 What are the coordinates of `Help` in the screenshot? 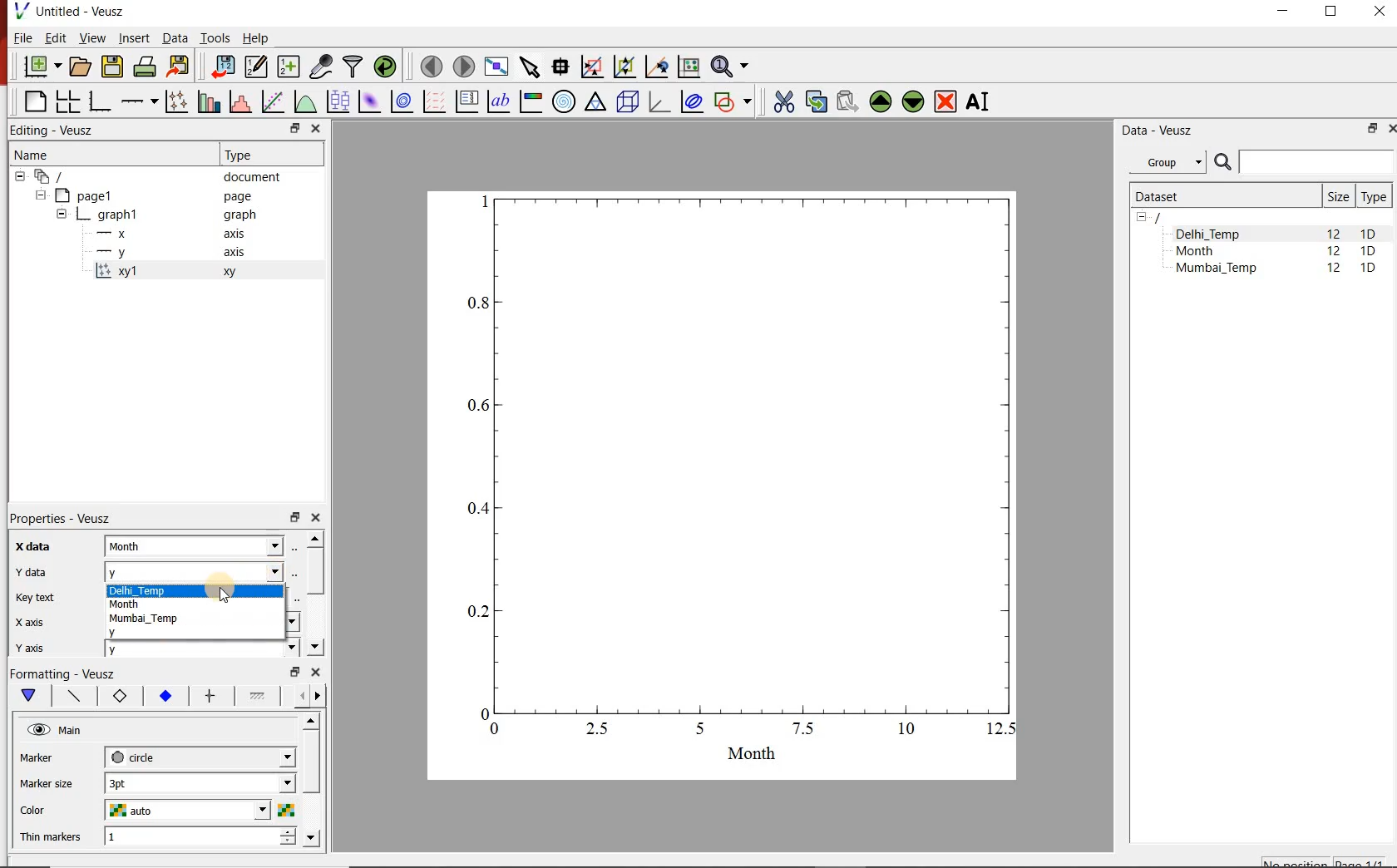 It's located at (256, 37).